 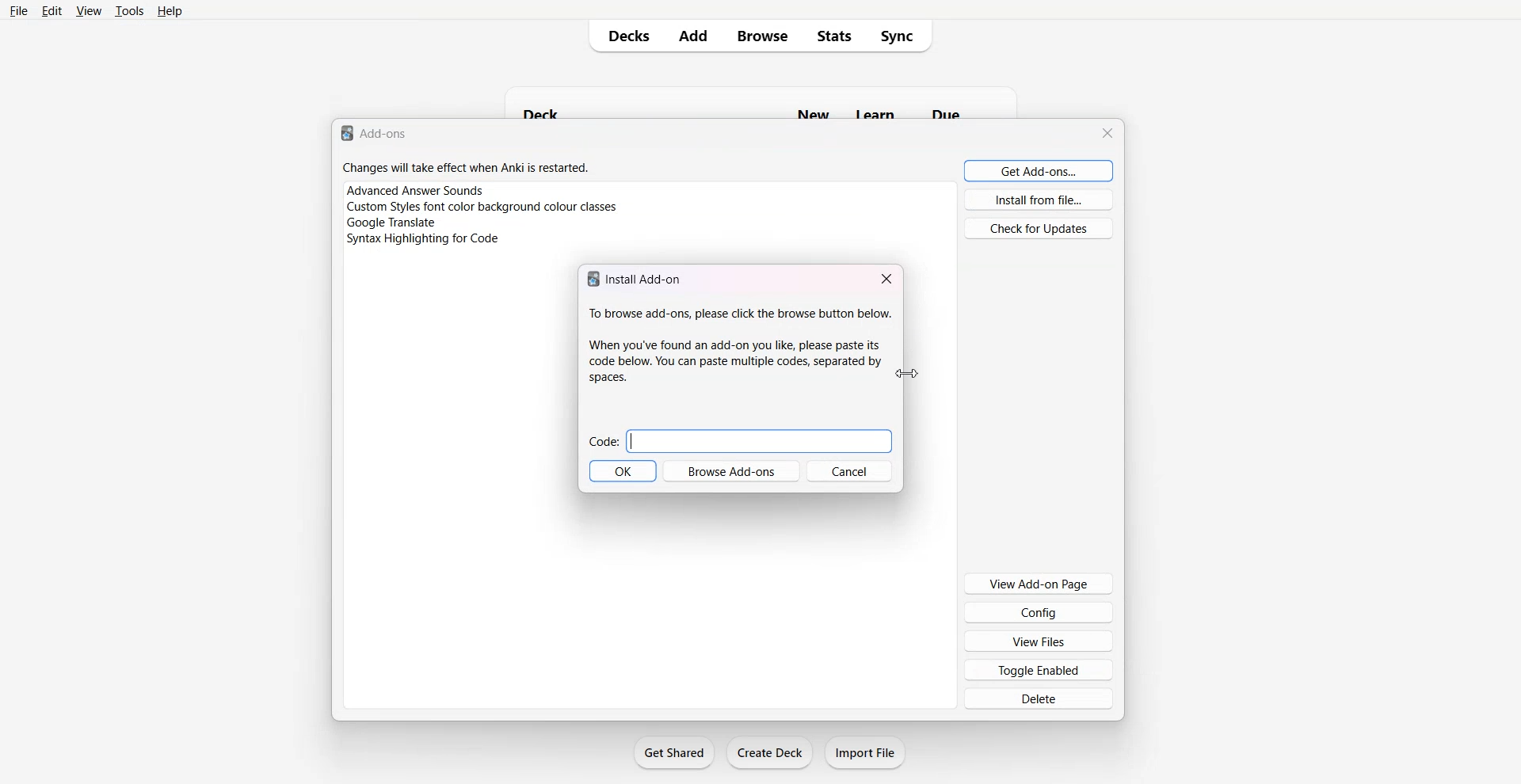 What do you see at coordinates (1107, 133) in the screenshot?
I see `Close` at bounding box center [1107, 133].